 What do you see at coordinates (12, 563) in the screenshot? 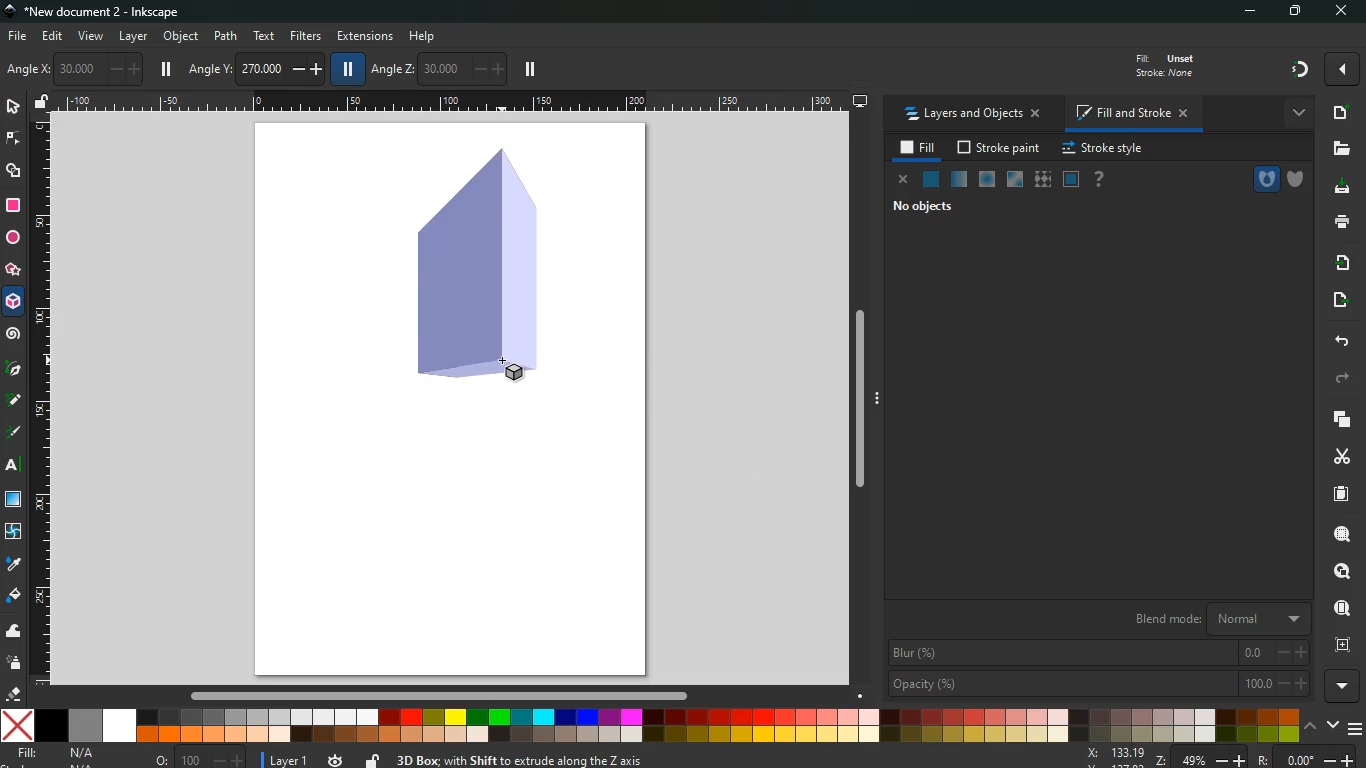
I see `drop` at bounding box center [12, 563].